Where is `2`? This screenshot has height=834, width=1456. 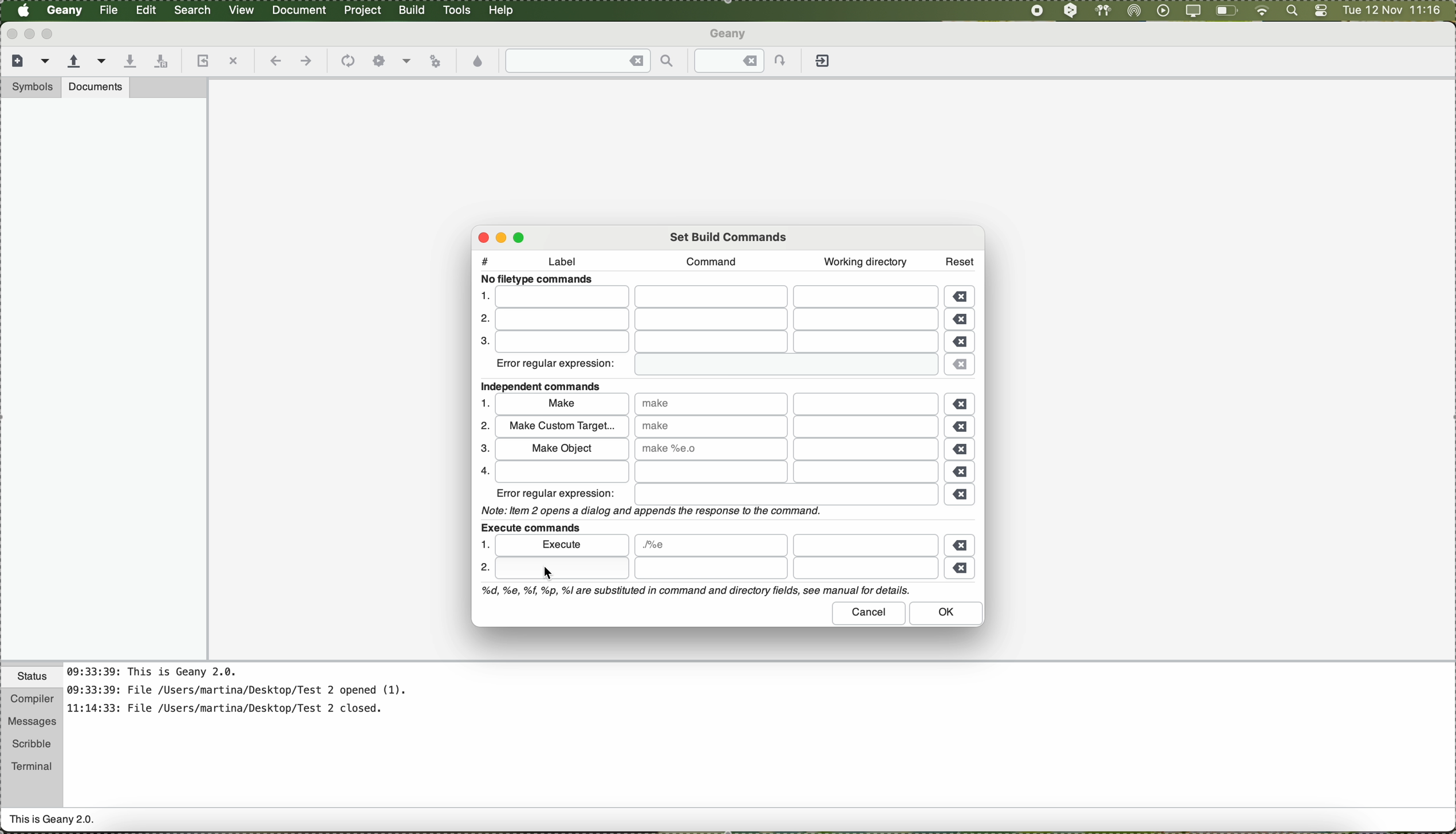 2 is located at coordinates (484, 569).